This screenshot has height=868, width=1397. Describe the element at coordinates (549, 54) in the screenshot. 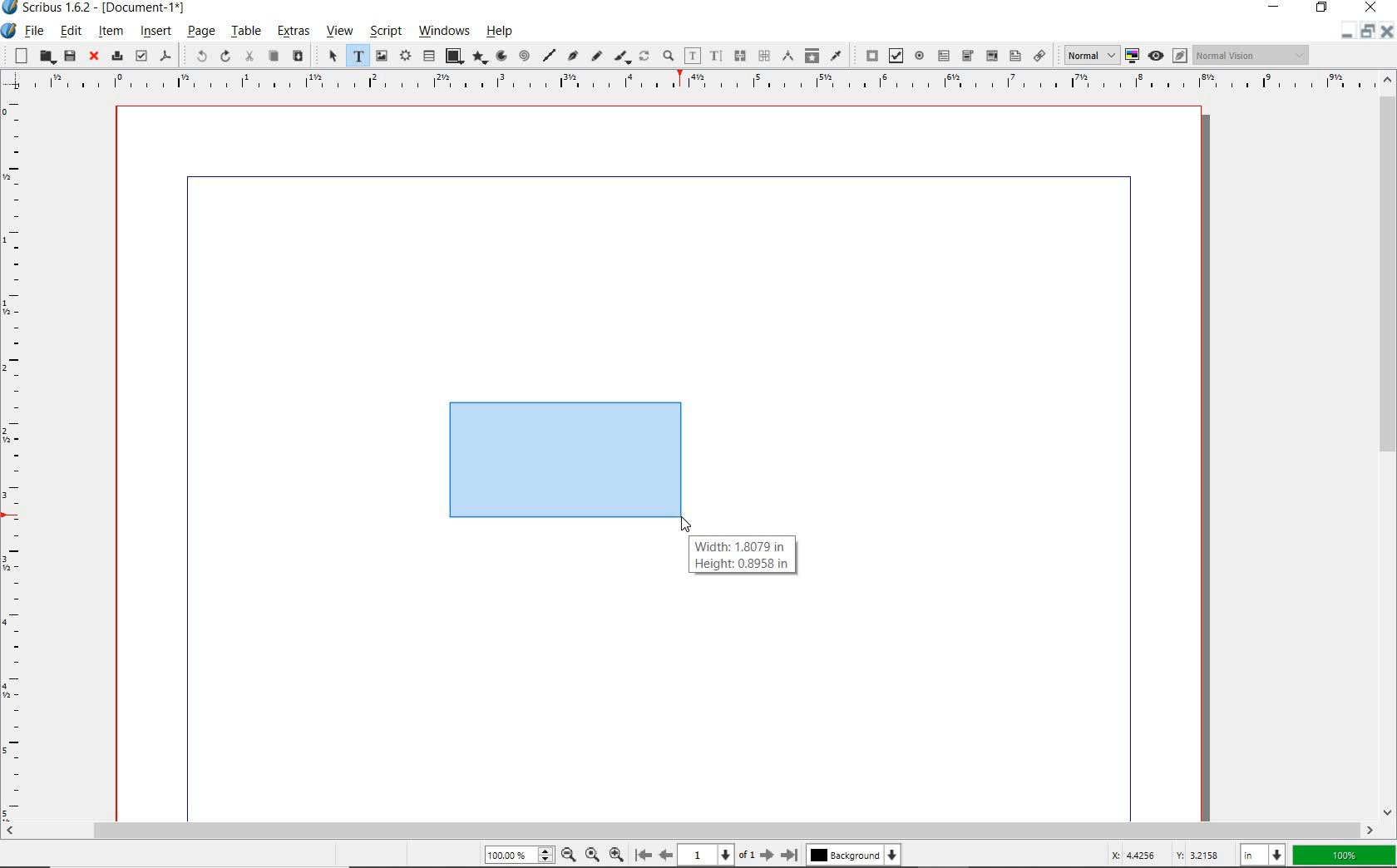

I see `line` at that location.